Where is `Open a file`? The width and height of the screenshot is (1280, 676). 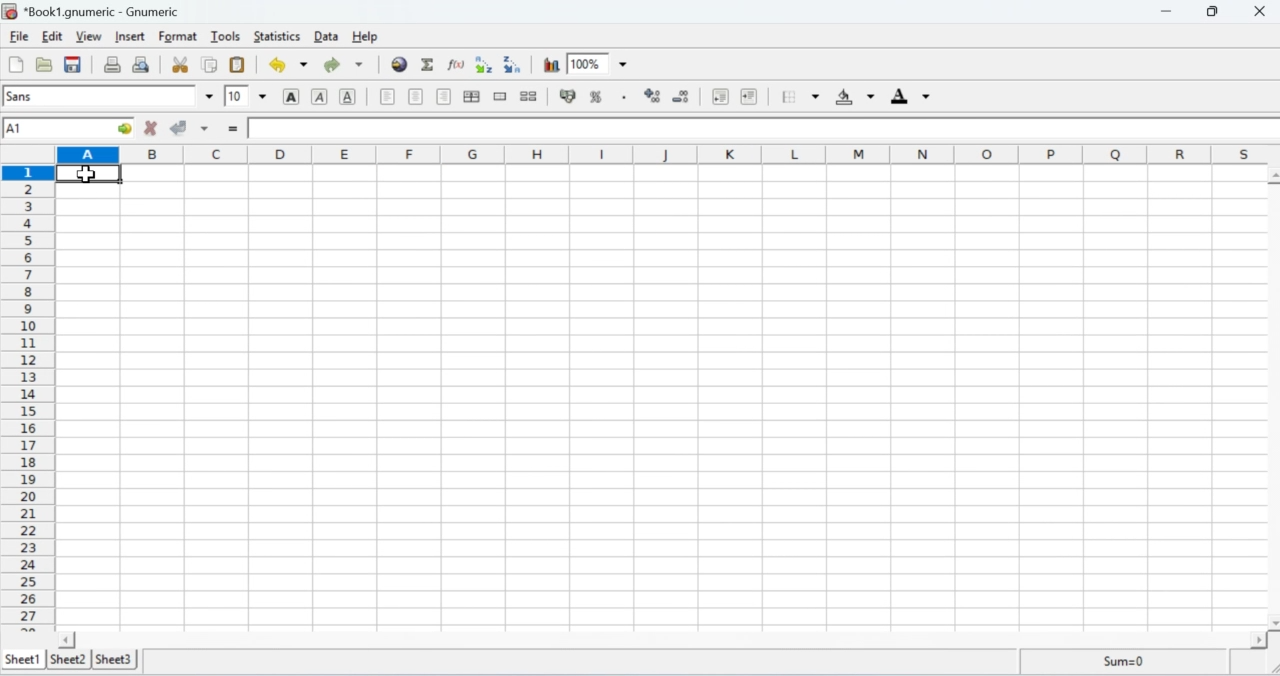 Open a file is located at coordinates (43, 65).